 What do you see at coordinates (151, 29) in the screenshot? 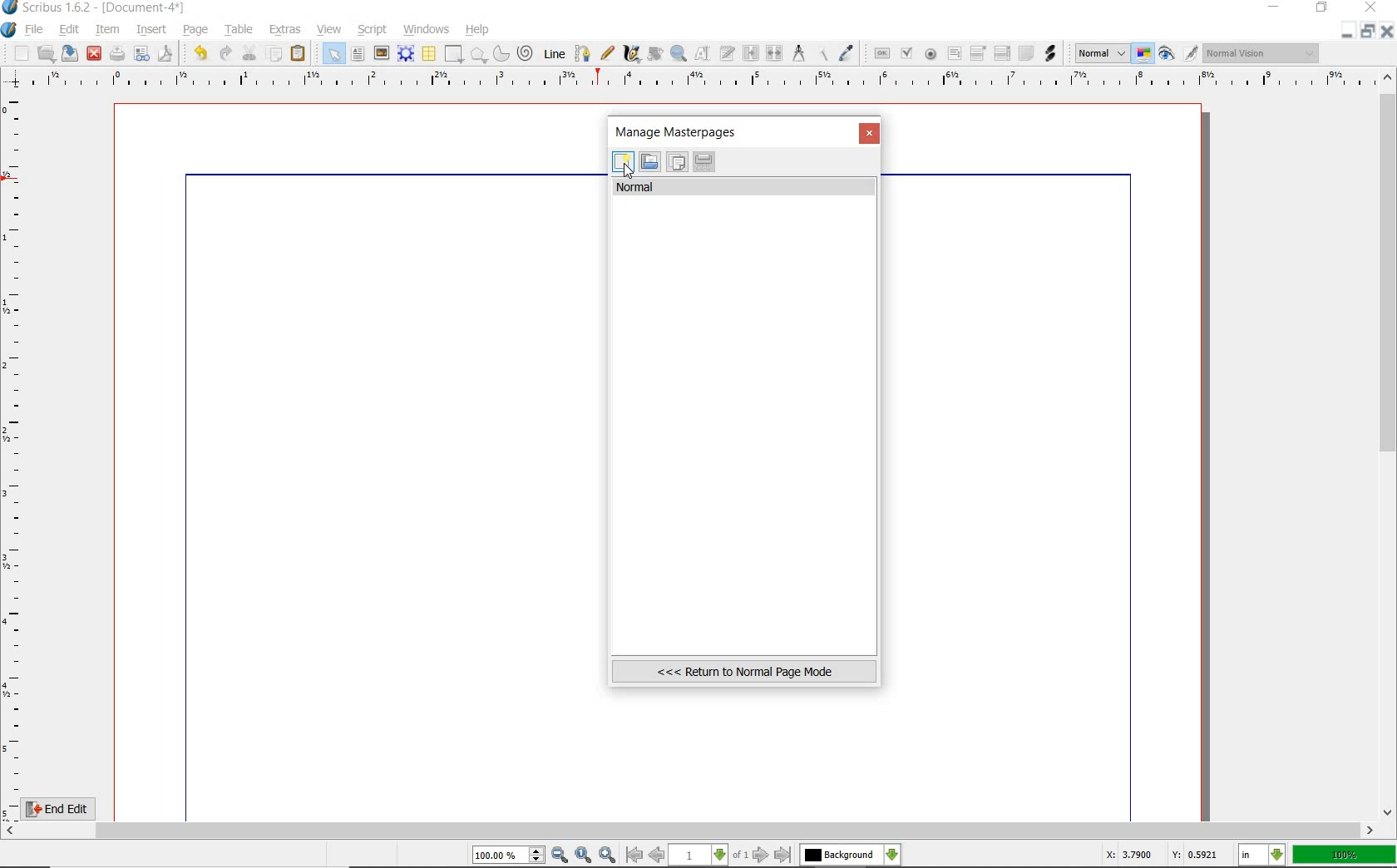
I see `insert` at bounding box center [151, 29].